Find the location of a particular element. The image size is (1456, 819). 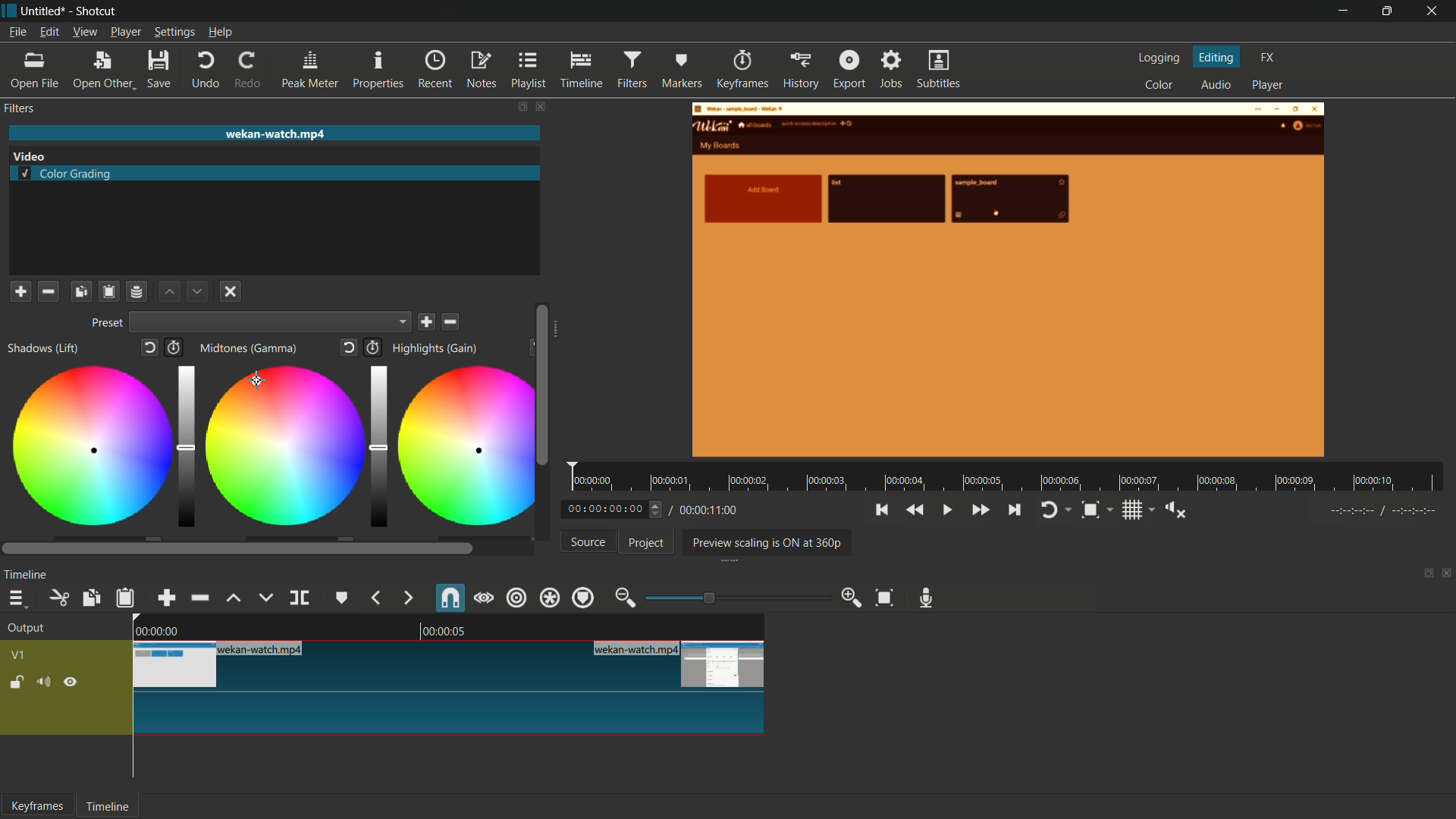

change layout is located at coordinates (1423, 577).